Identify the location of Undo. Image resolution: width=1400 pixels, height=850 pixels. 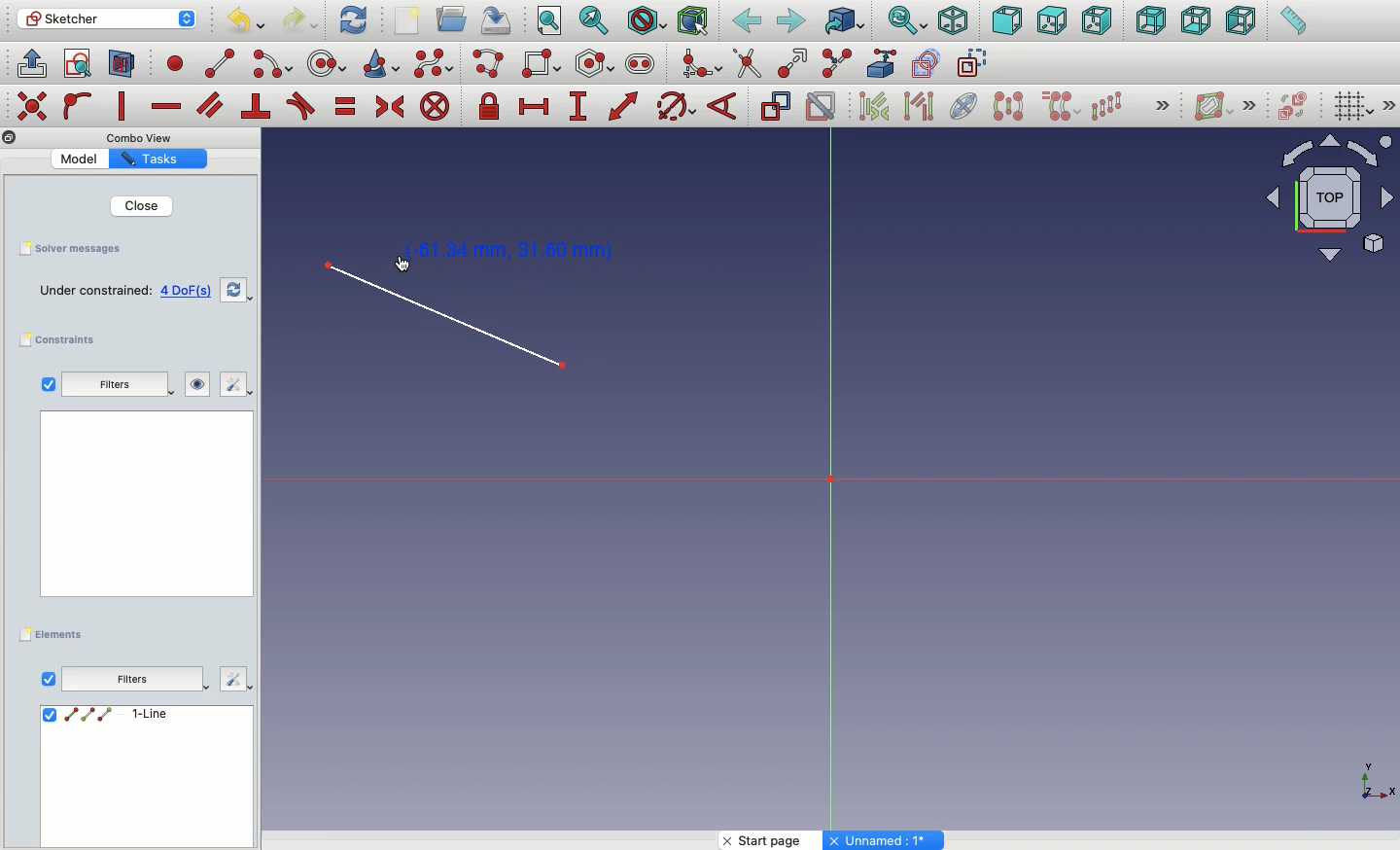
(244, 21).